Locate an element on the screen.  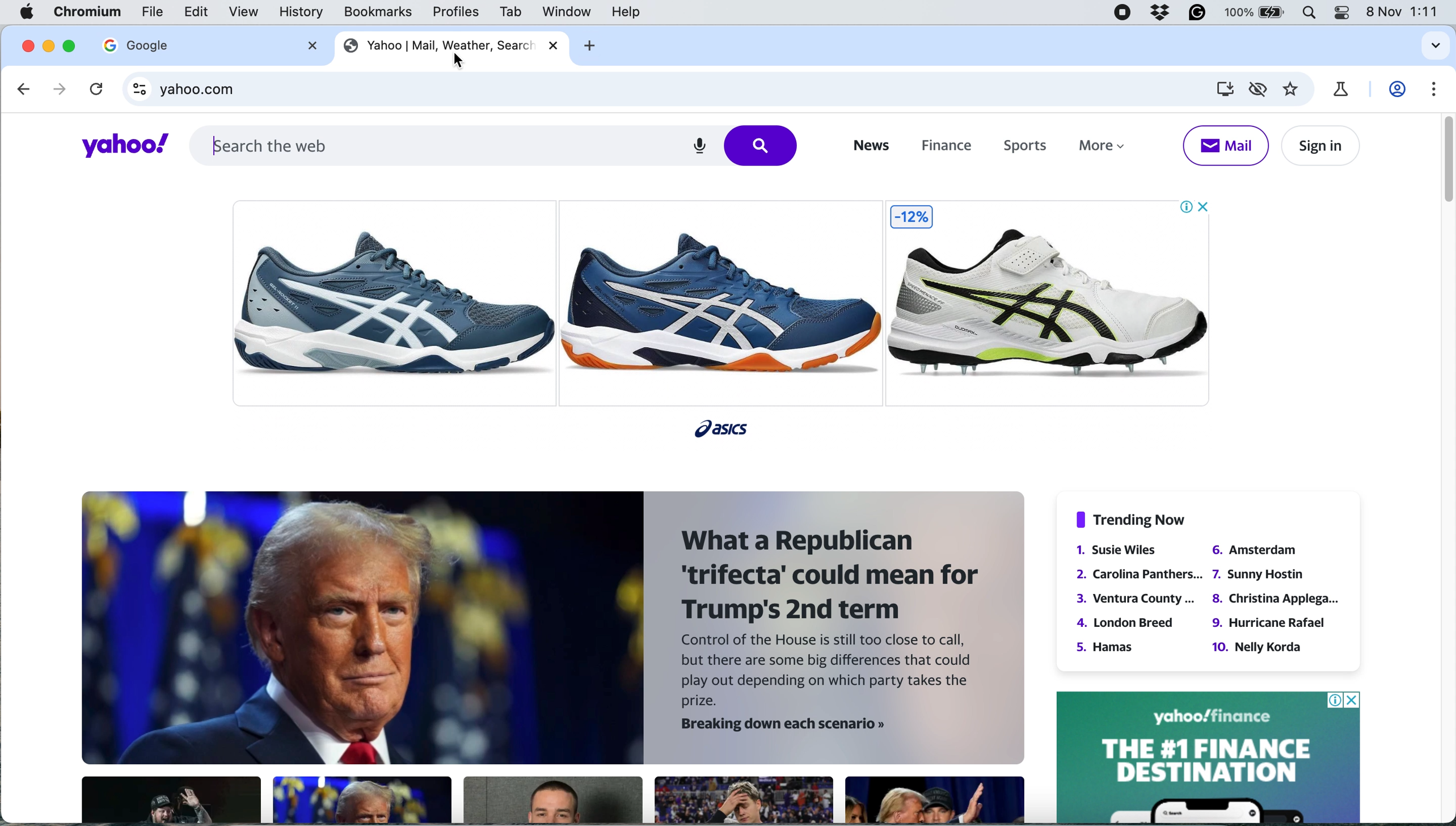
battery is located at coordinates (1256, 14).